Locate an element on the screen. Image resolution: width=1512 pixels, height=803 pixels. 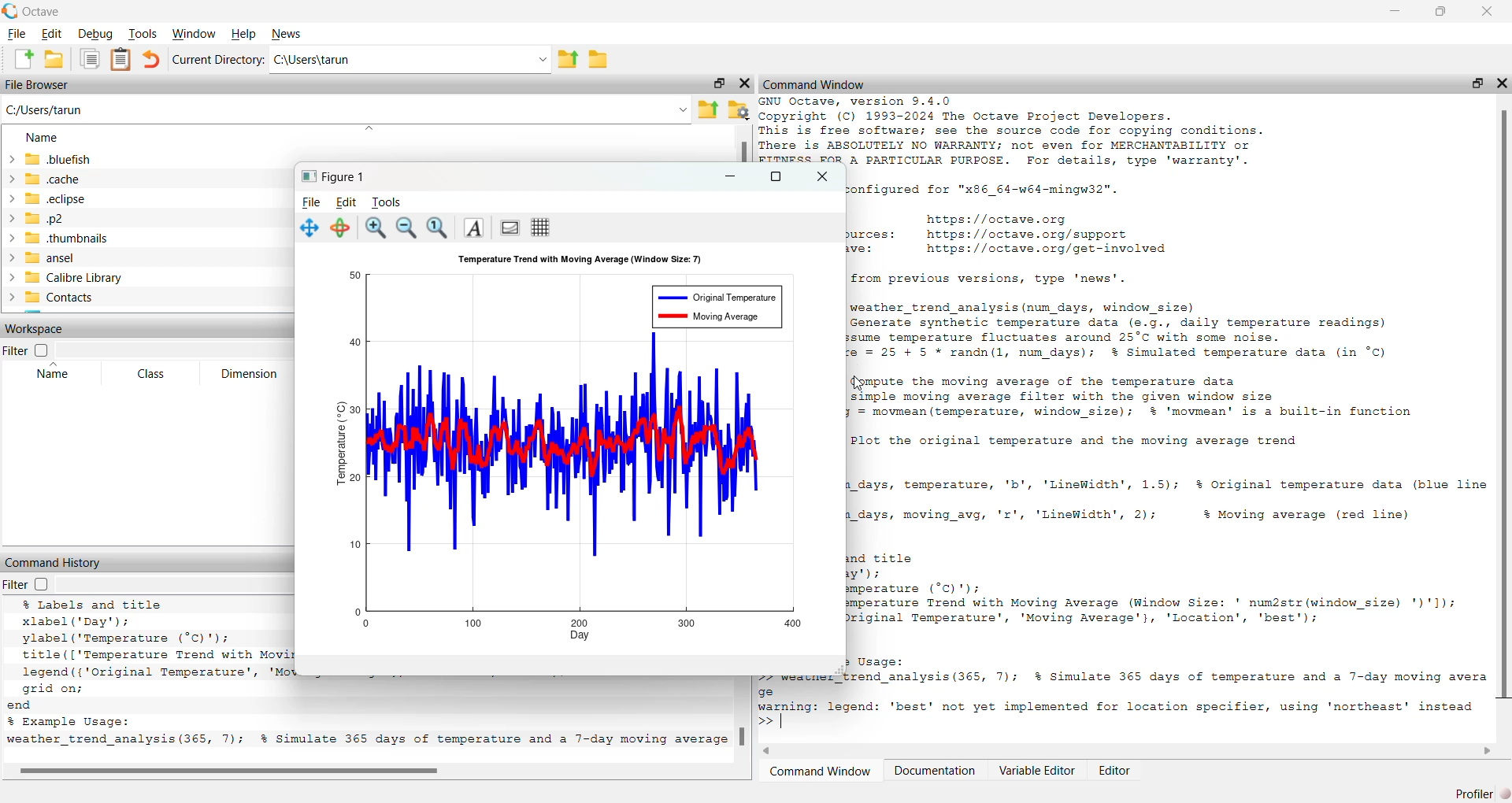
Back is located at coordinates (769, 749).